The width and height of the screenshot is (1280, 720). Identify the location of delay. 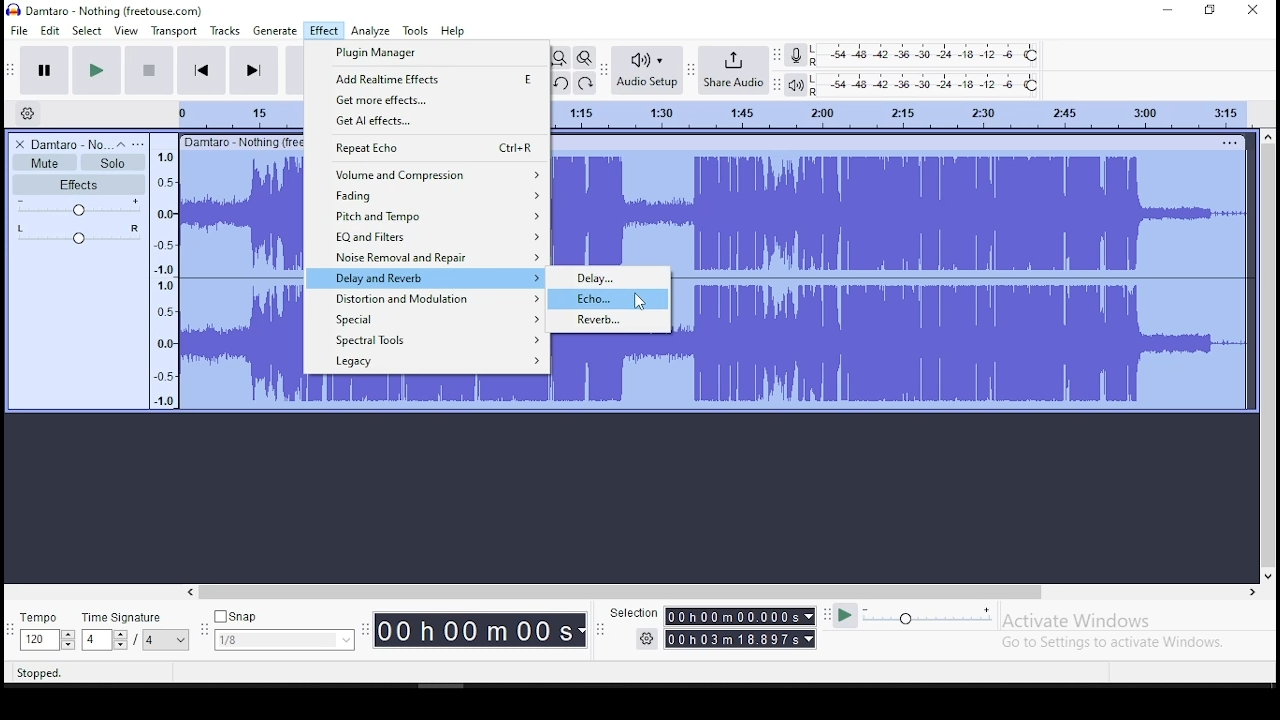
(609, 277).